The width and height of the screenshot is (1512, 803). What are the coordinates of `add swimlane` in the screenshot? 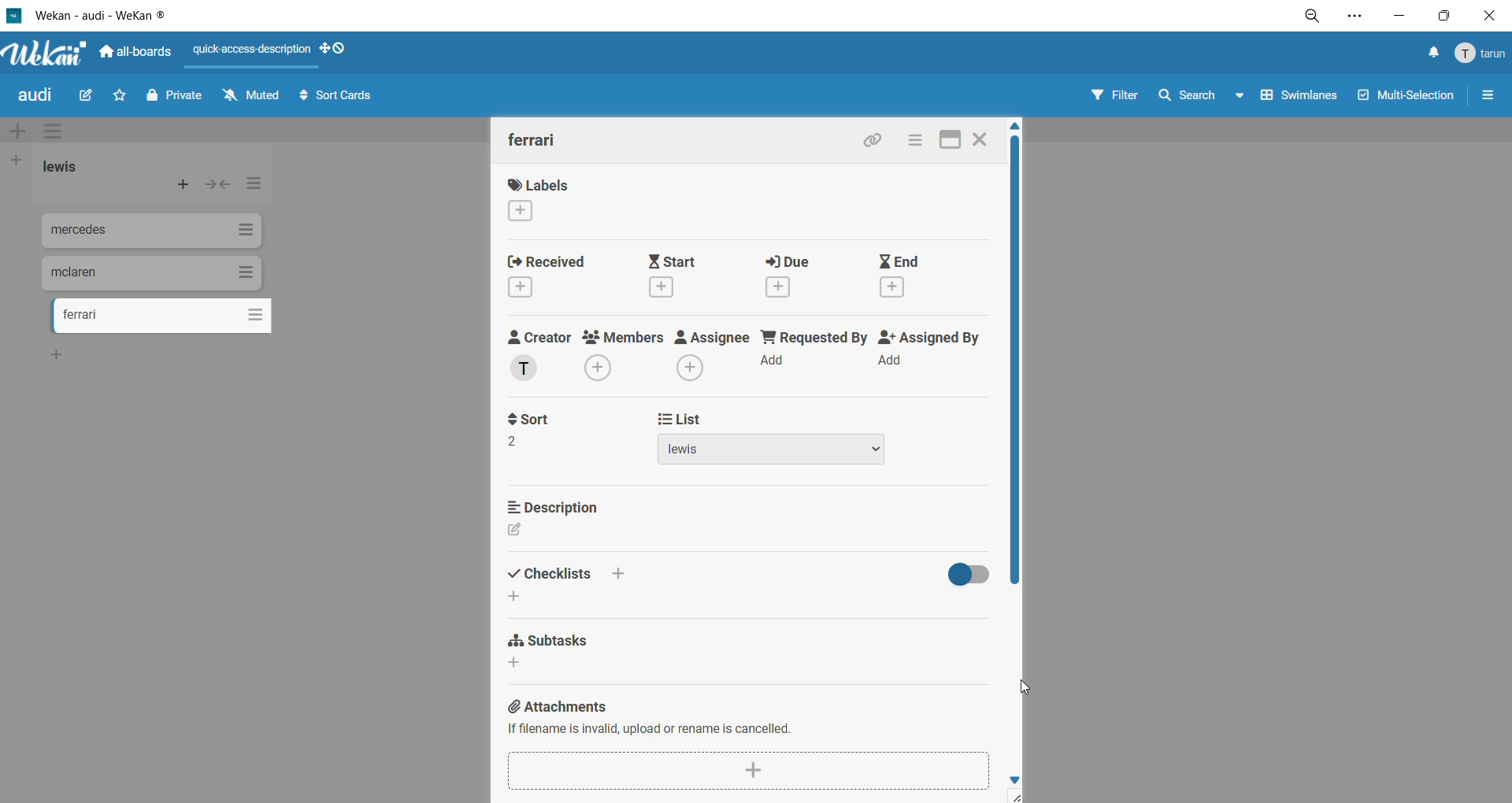 It's located at (17, 128).